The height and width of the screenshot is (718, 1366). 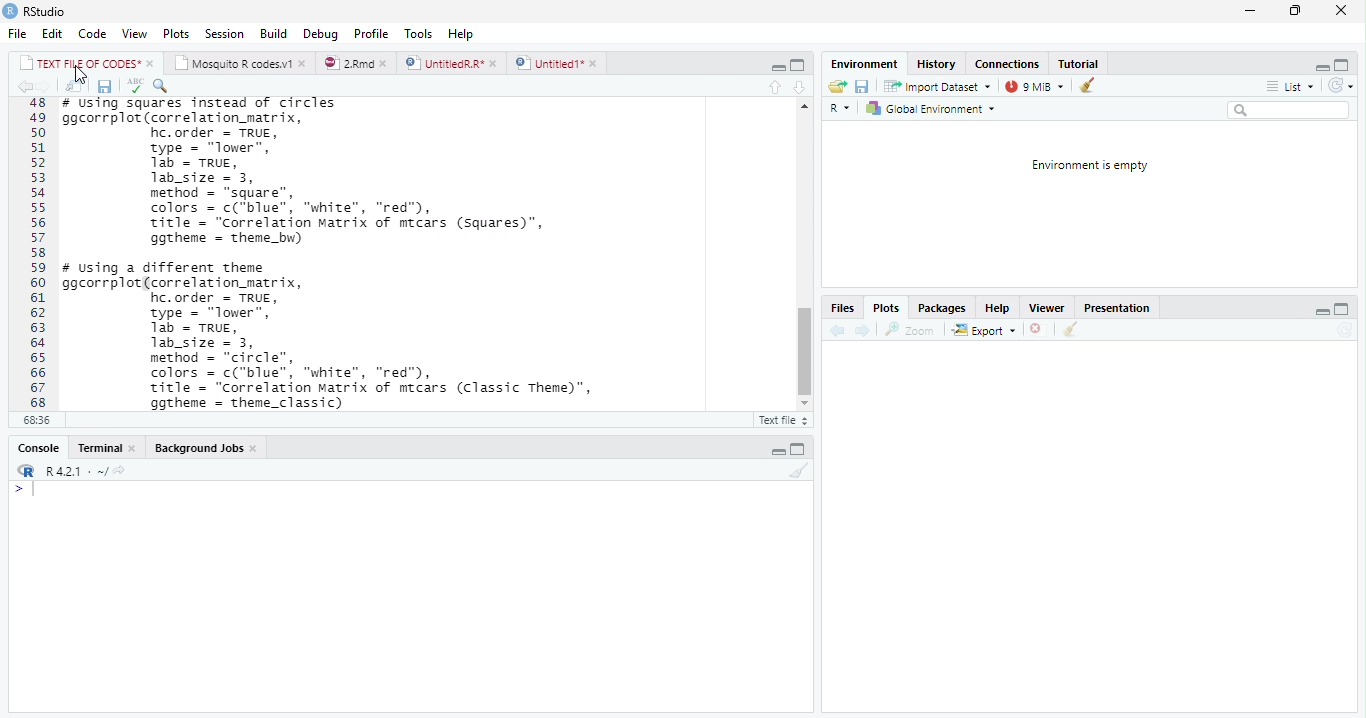 I want to click on Presentation, so click(x=1121, y=308).